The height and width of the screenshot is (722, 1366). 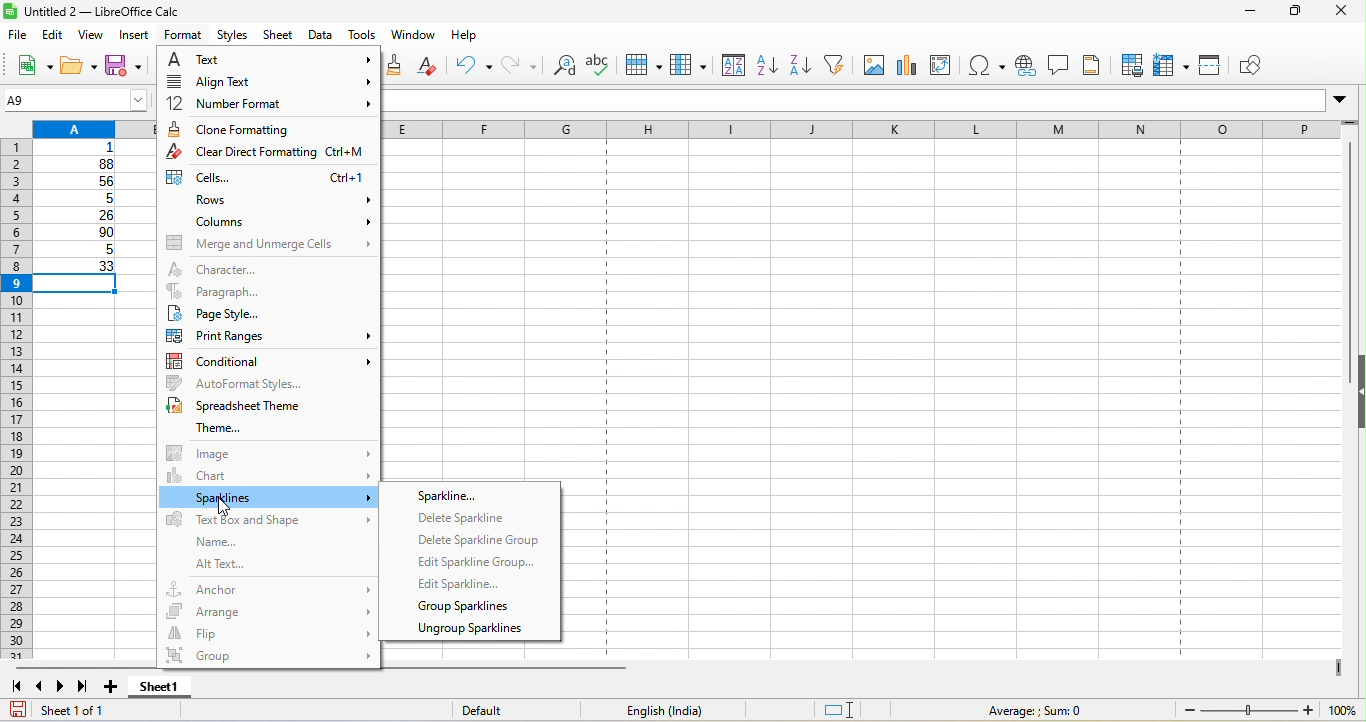 I want to click on 90, so click(x=78, y=234).